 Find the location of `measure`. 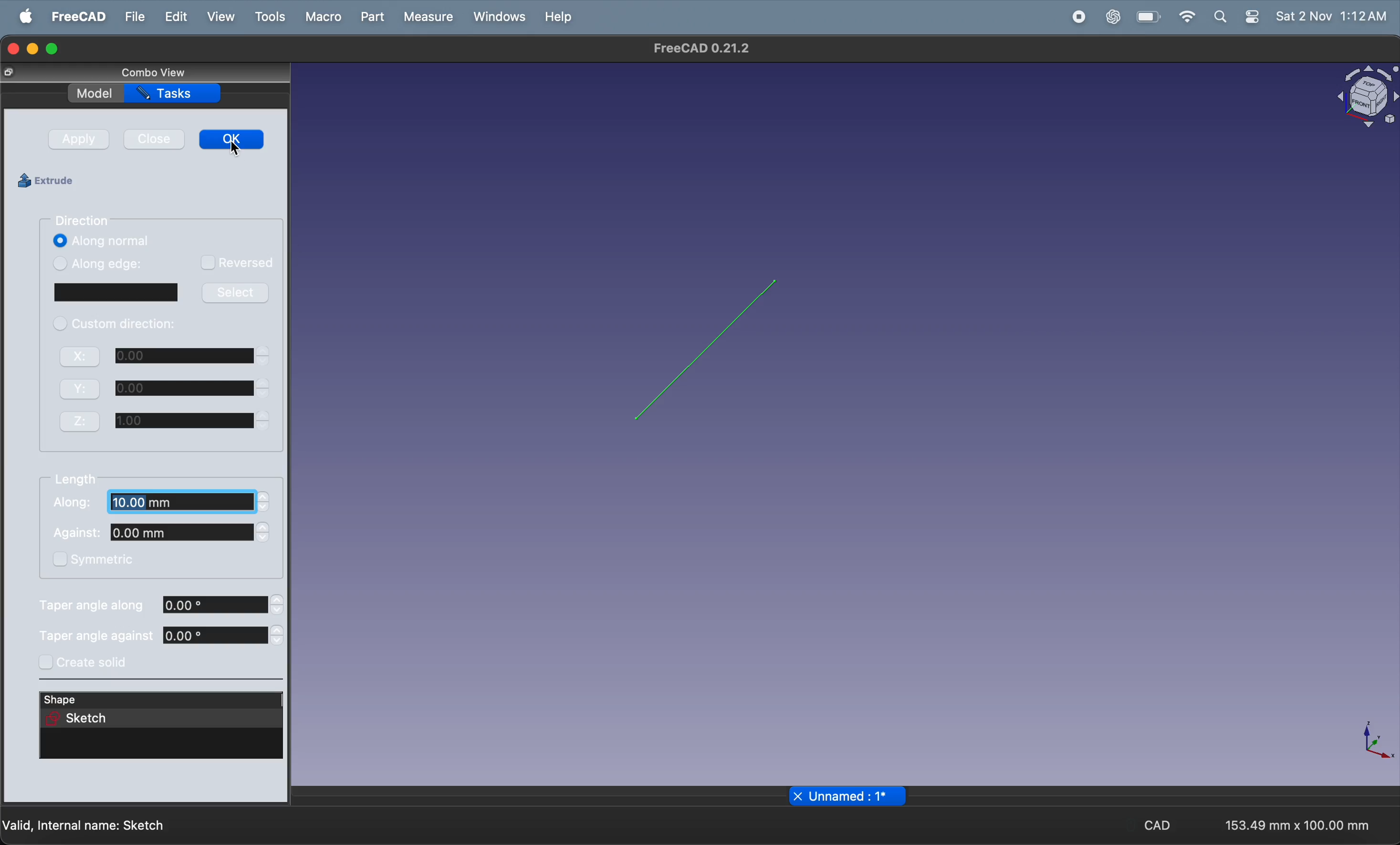

measure is located at coordinates (428, 16).